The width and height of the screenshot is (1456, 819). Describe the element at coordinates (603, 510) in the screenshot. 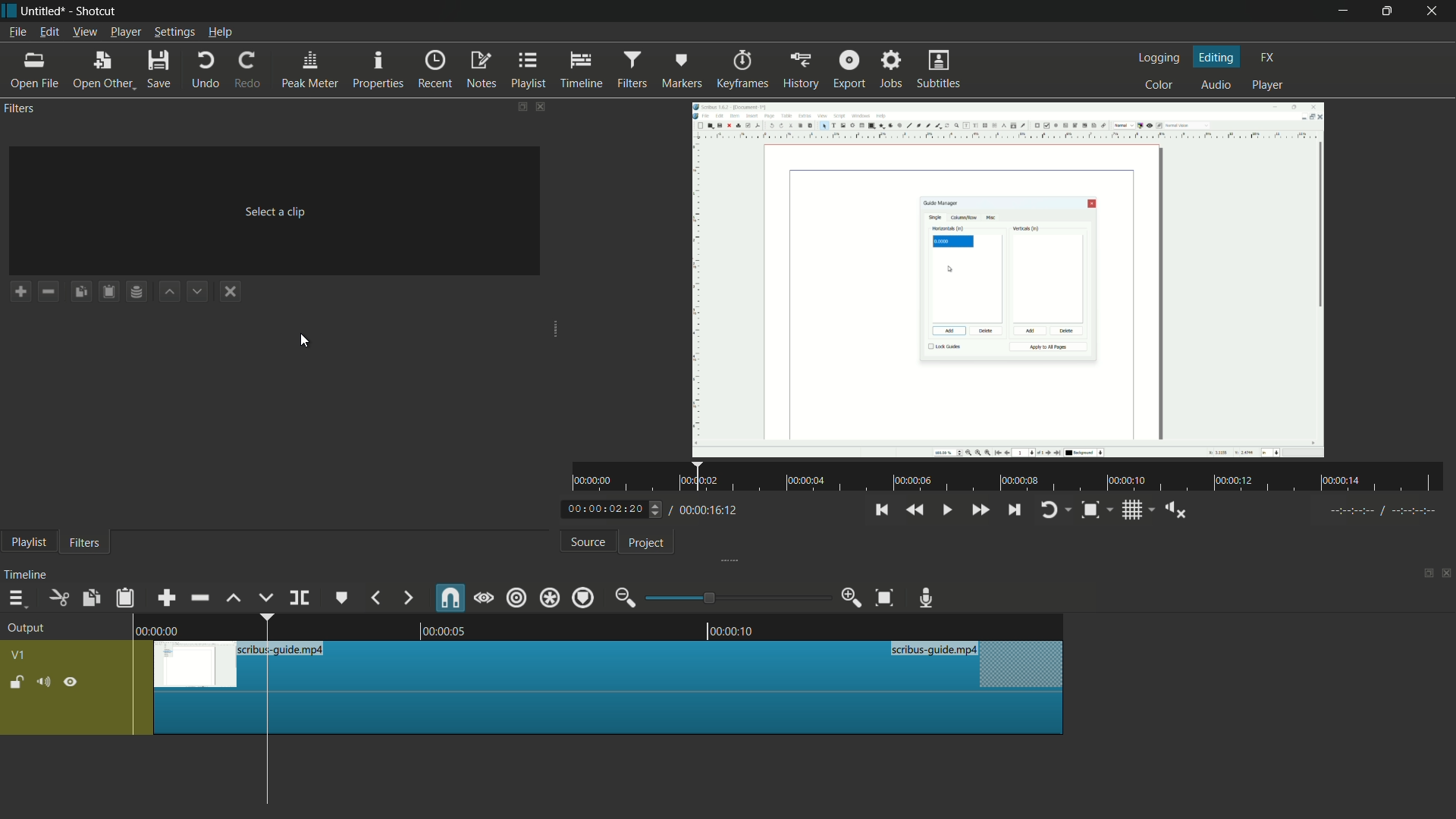

I see `current time` at that location.